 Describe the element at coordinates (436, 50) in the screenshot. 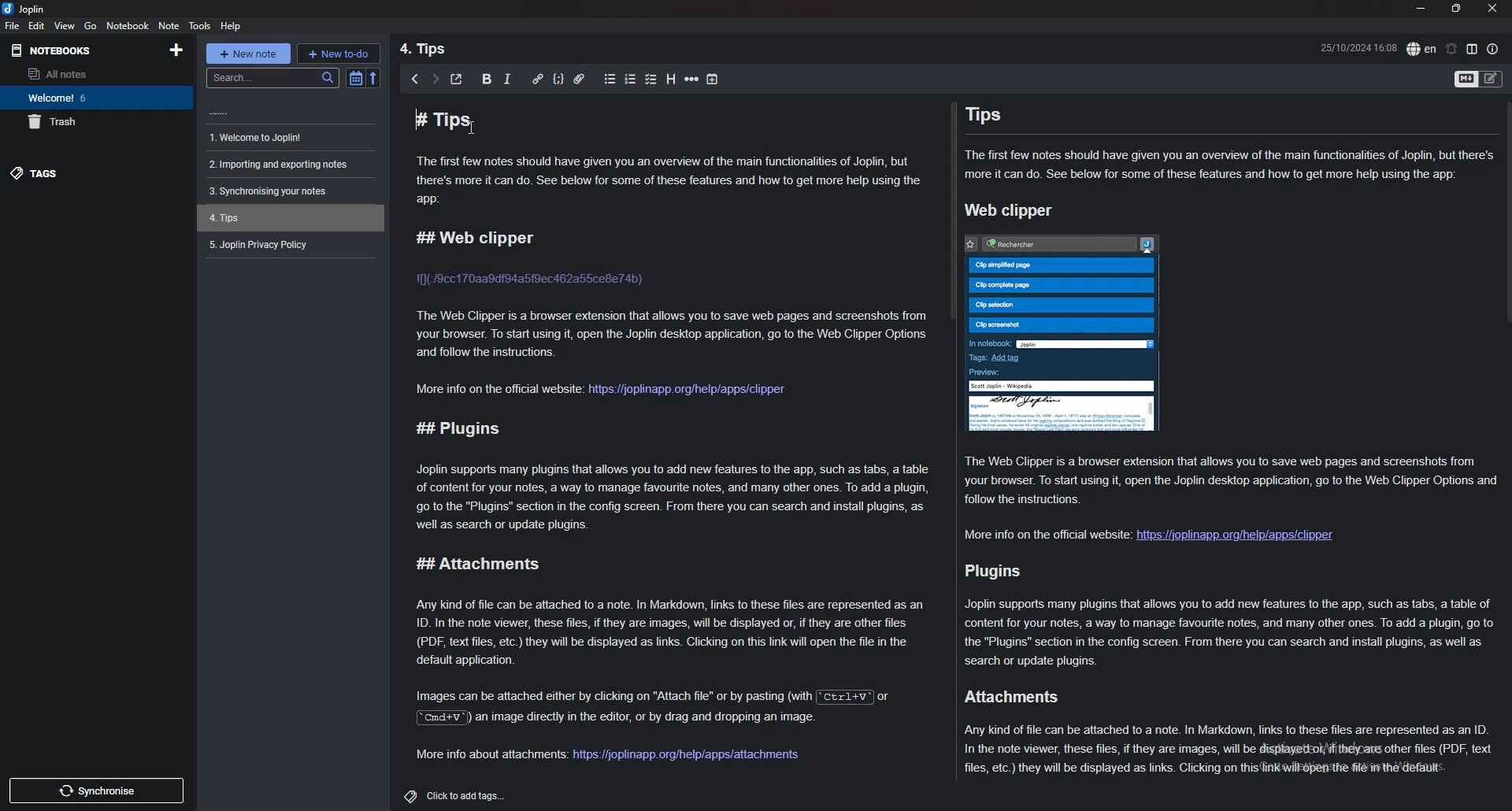

I see `note name` at that location.